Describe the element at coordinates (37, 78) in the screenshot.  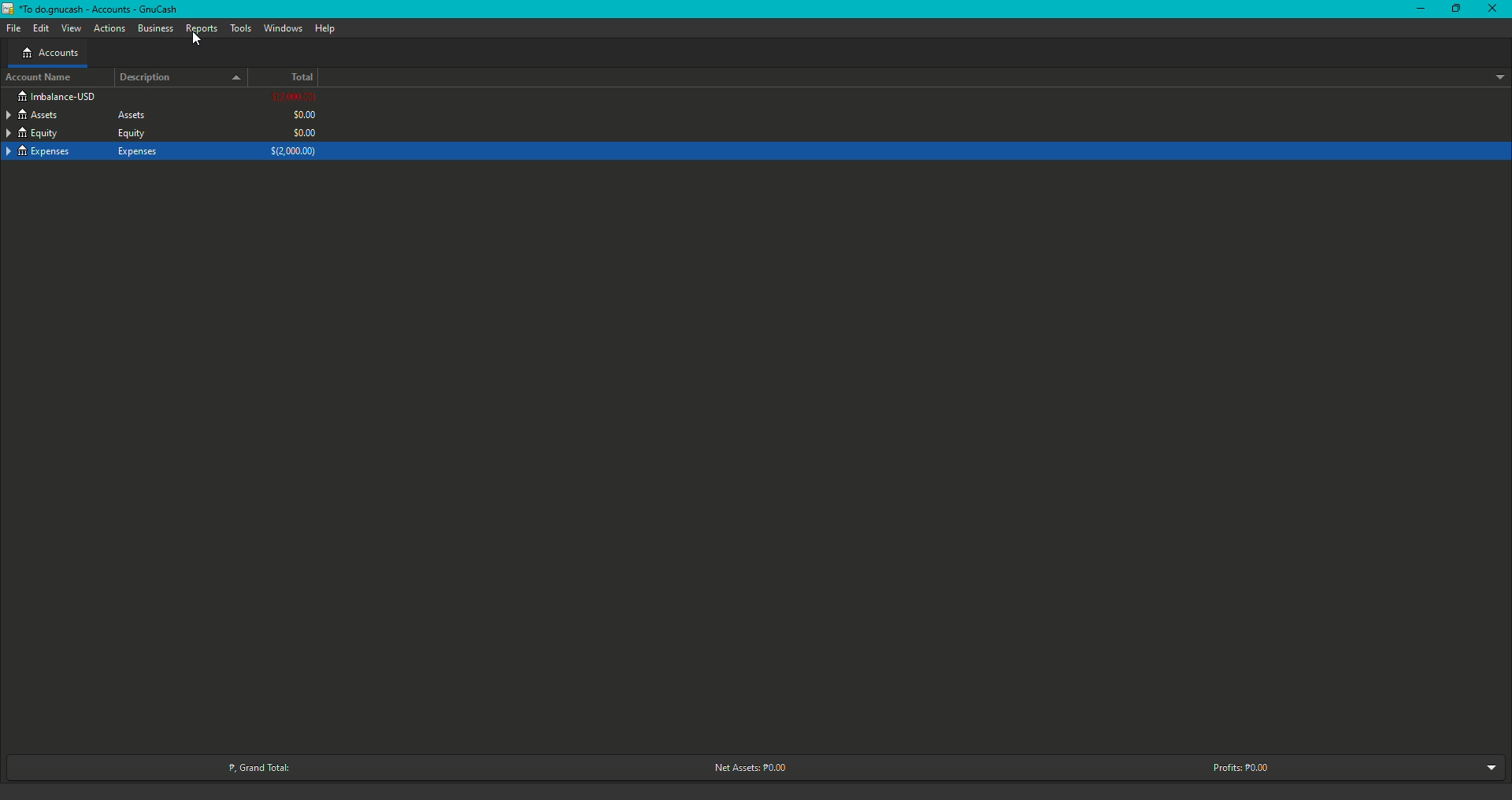
I see `Account Name` at that location.